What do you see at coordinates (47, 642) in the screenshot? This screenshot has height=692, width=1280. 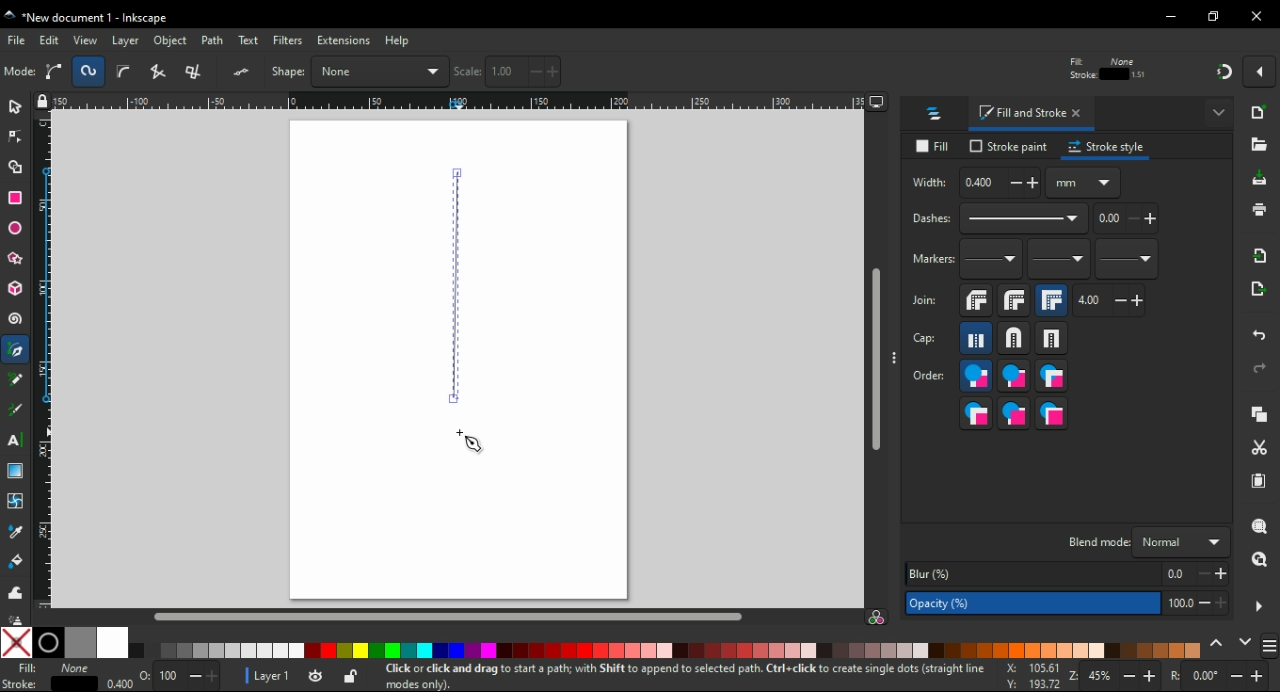 I see `black` at bounding box center [47, 642].